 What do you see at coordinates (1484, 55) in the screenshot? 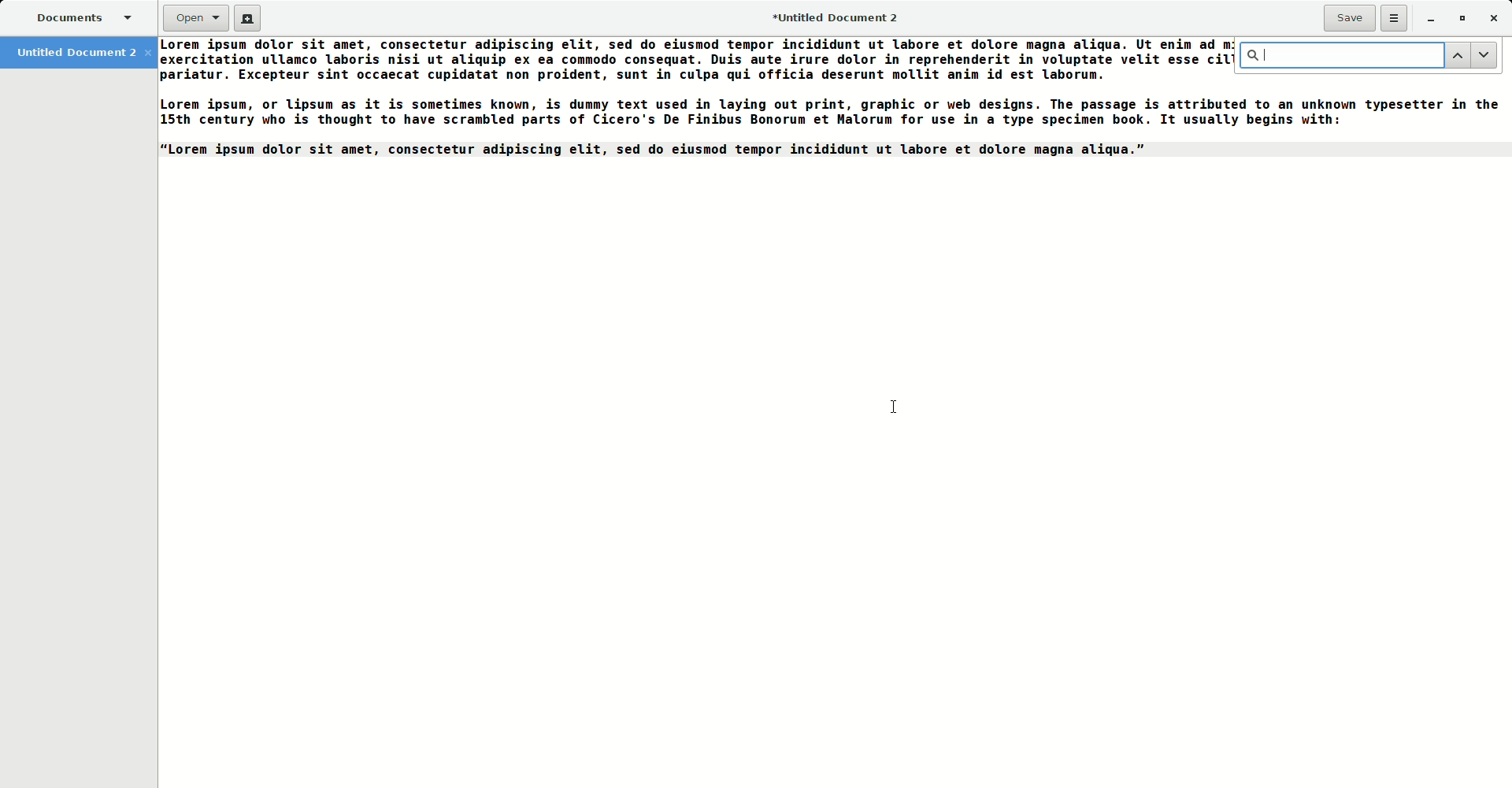
I see `Down` at bounding box center [1484, 55].